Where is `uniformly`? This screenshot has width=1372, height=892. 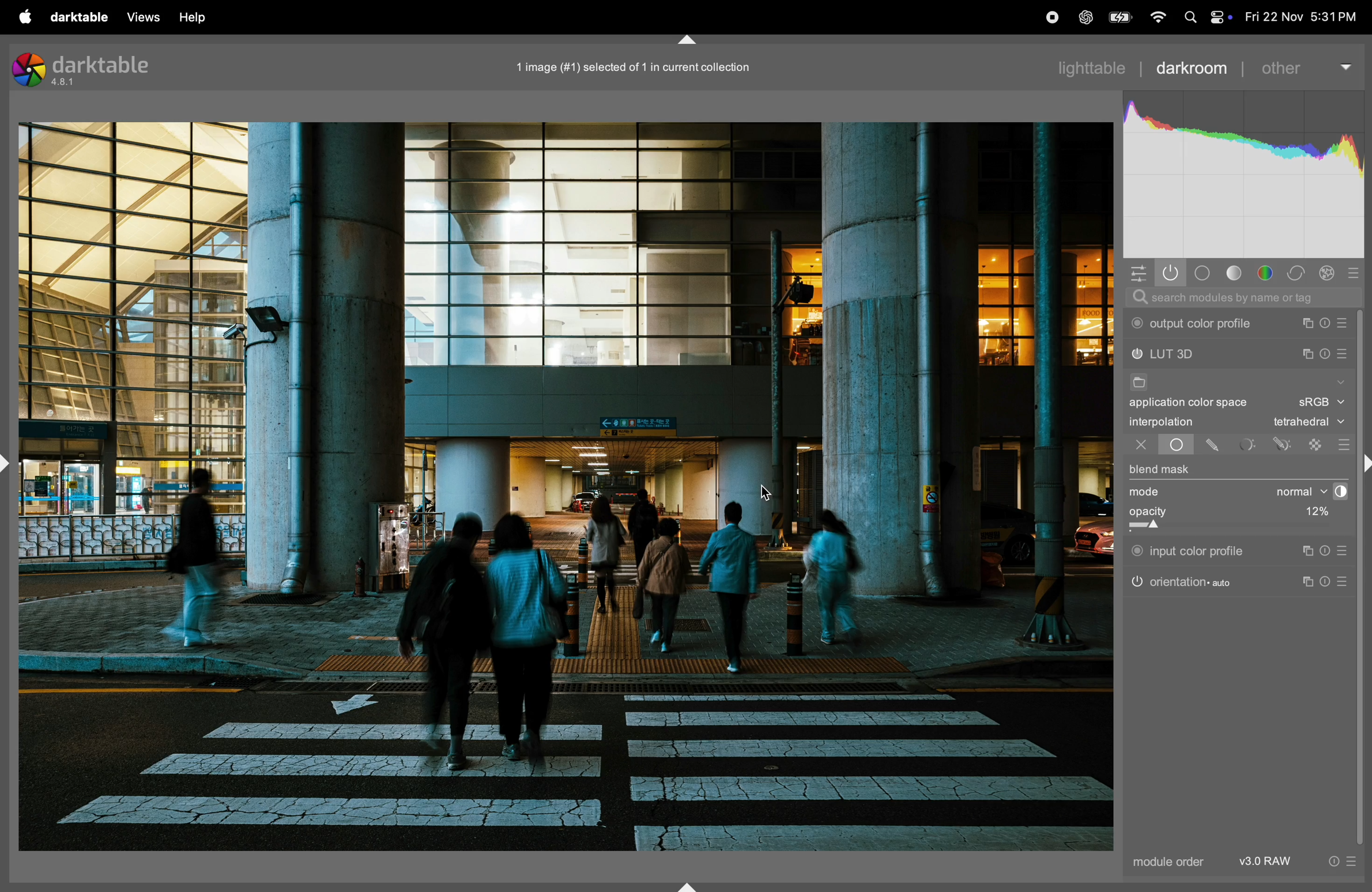 uniformly is located at coordinates (1166, 445).